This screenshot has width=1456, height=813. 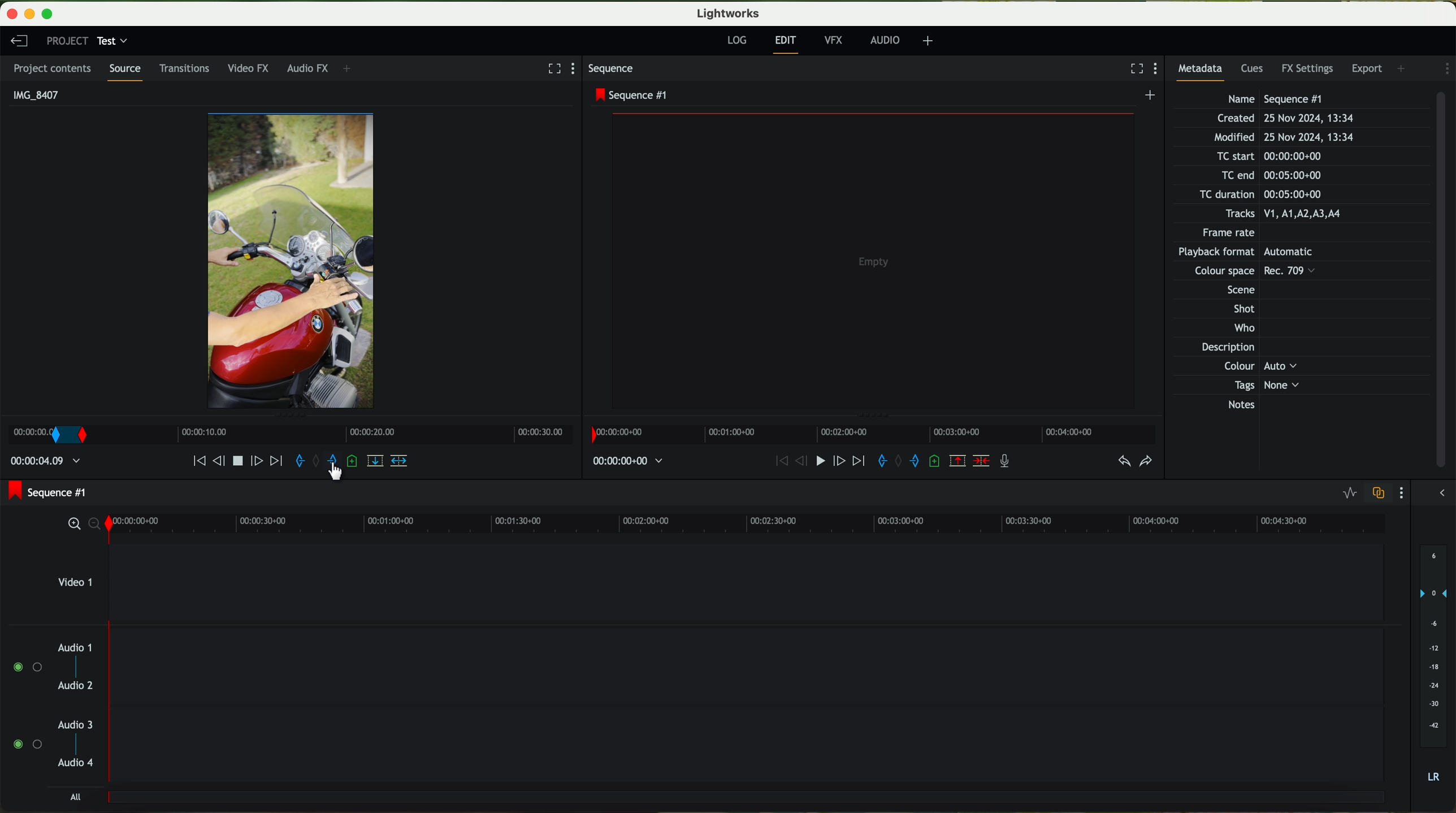 I want to click on export, so click(x=1368, y=67).